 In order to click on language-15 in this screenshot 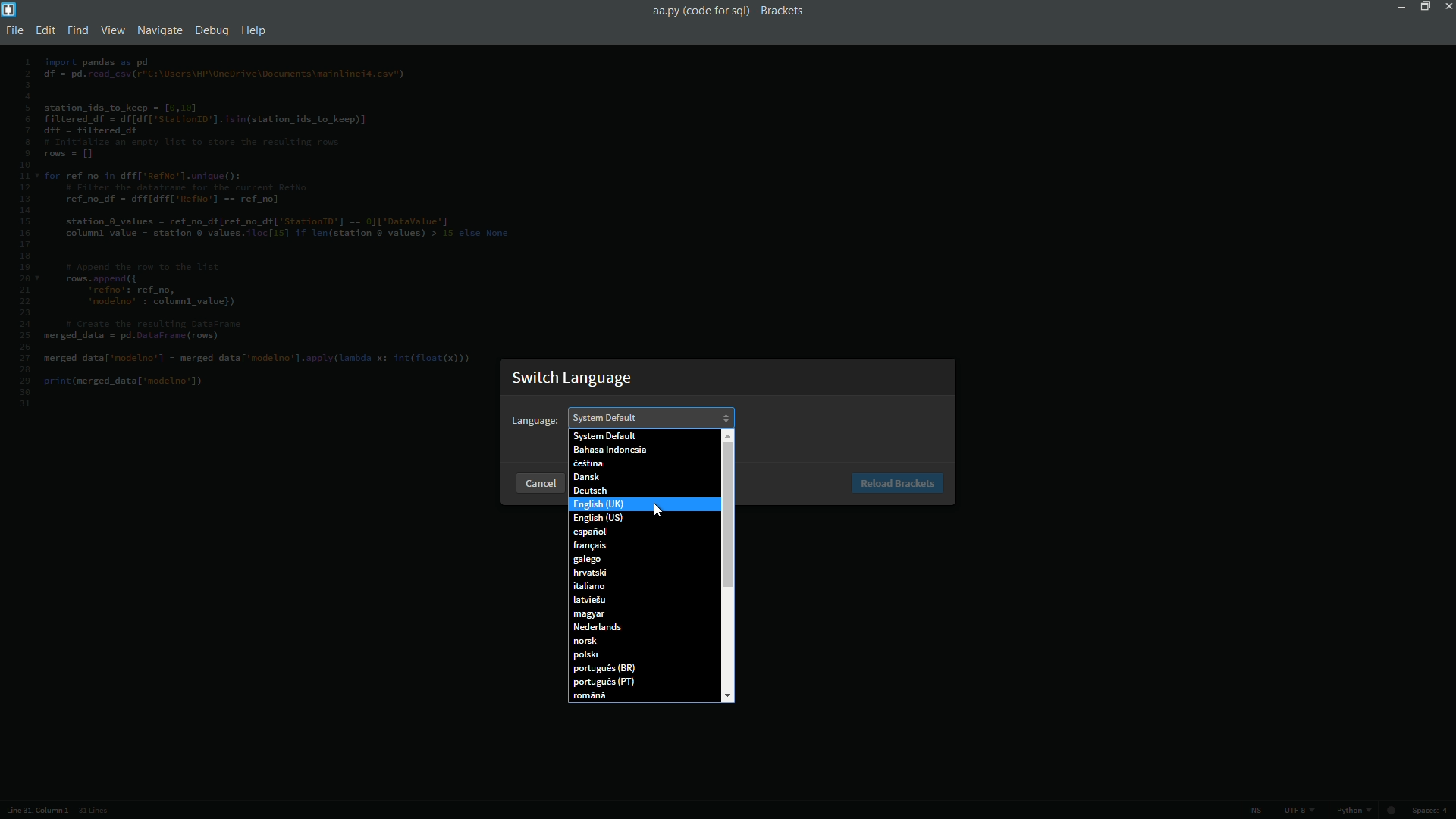, I will do `click(585, 641)`.